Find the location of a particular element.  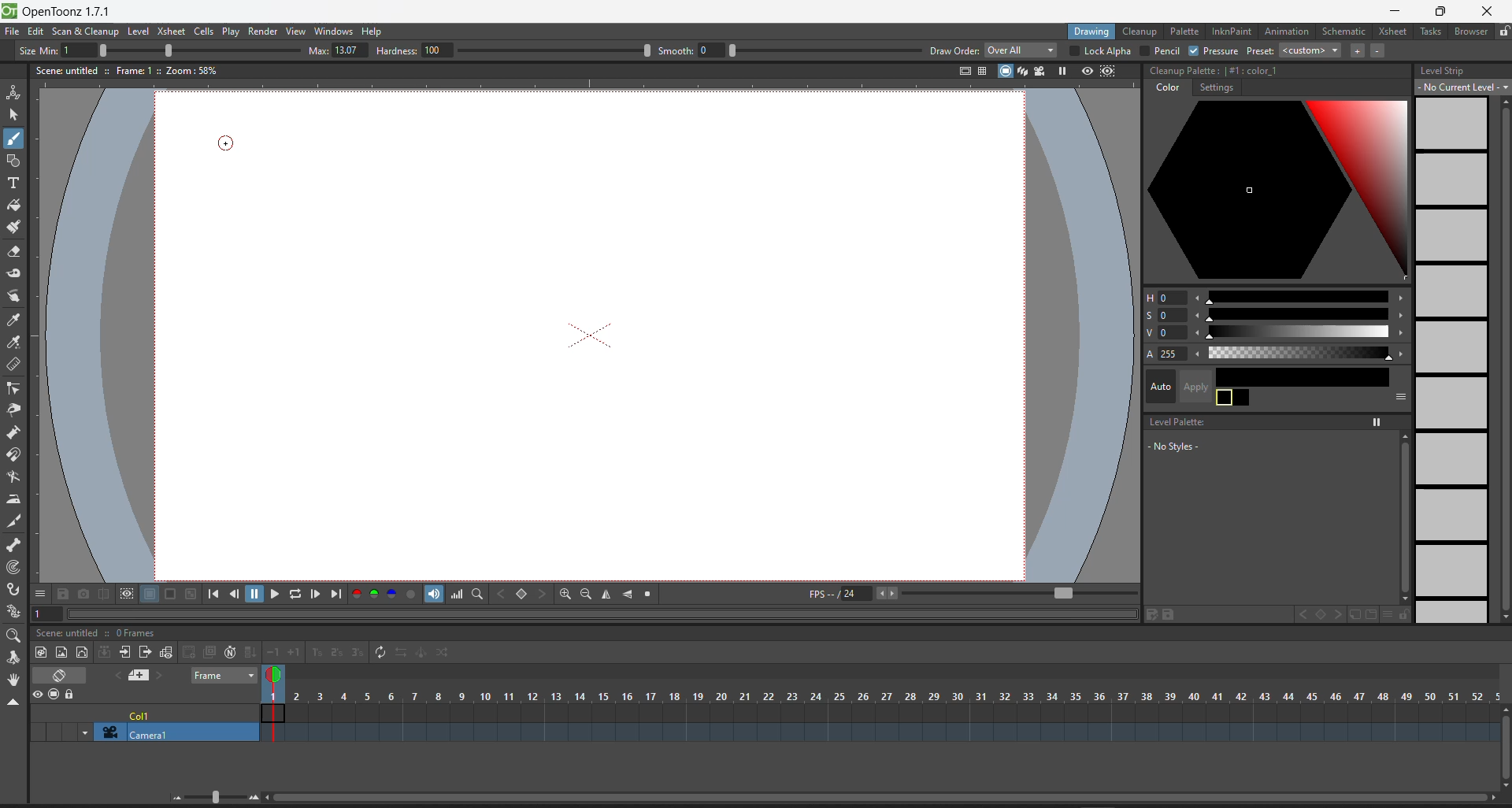

vue is located at coordinates (1160, 334).